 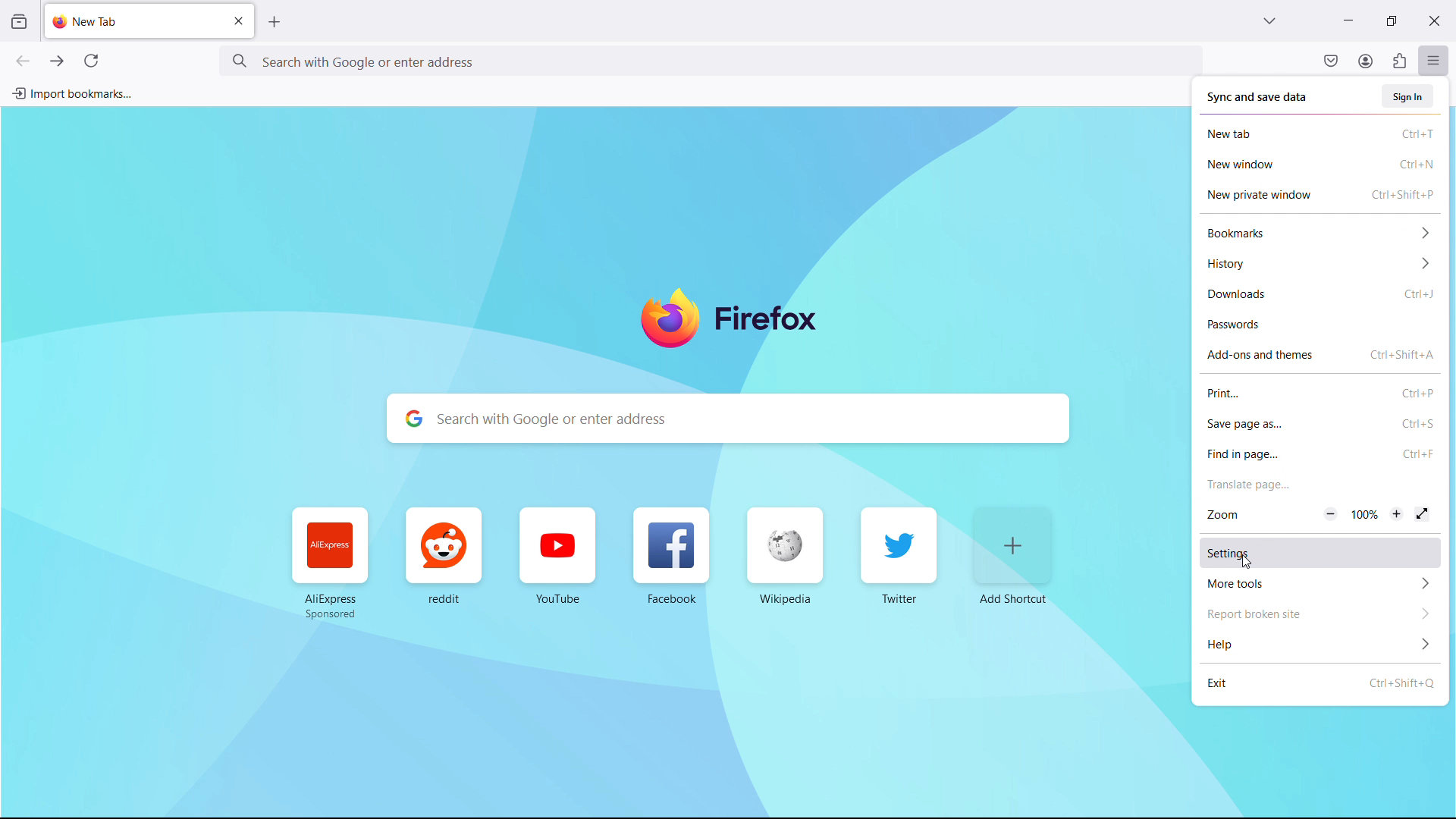 I want to click on maximize, so click(x=1388, y=21).